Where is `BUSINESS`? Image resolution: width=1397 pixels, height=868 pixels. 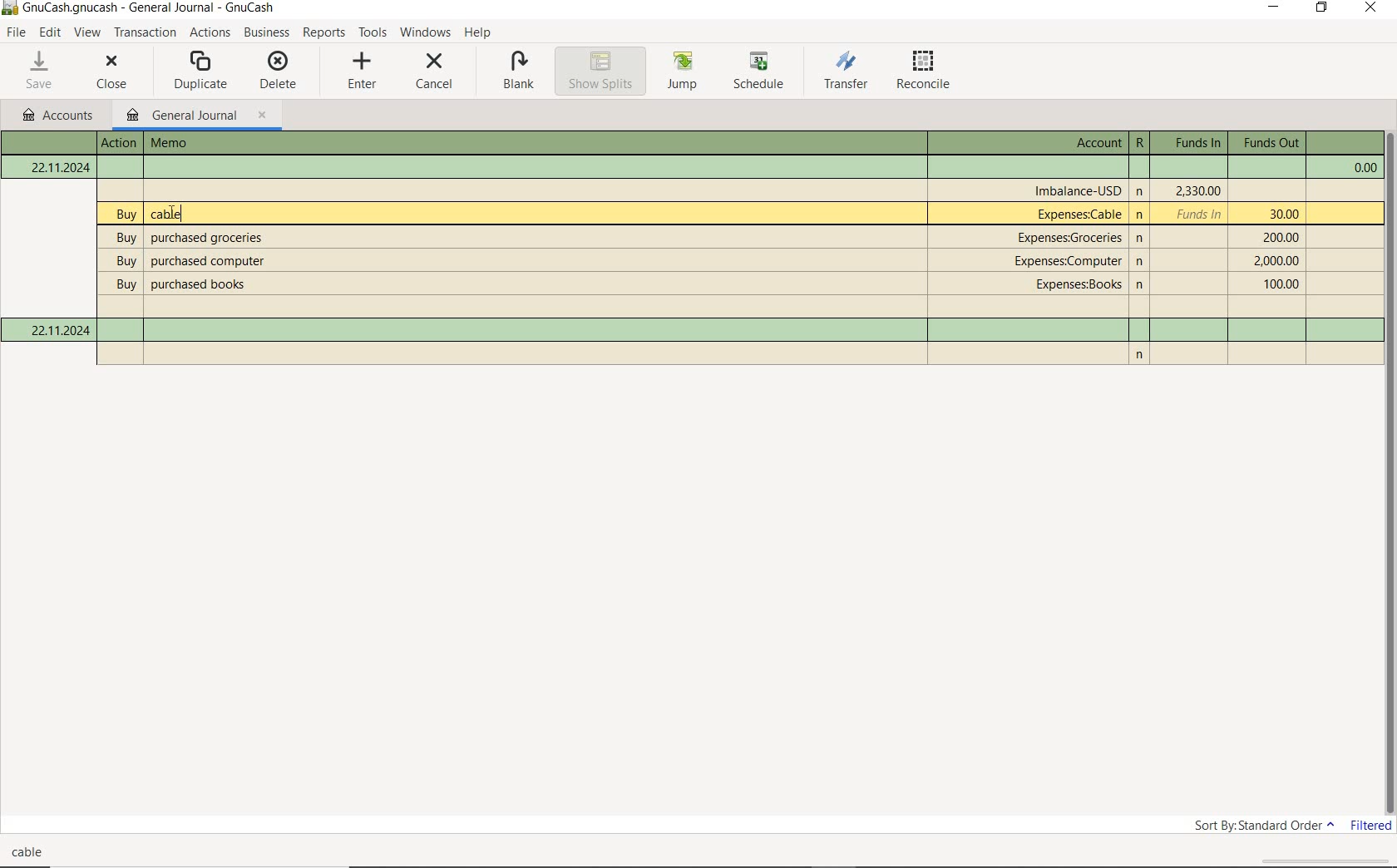
BUSINESS is located at coordinates (266, 31).